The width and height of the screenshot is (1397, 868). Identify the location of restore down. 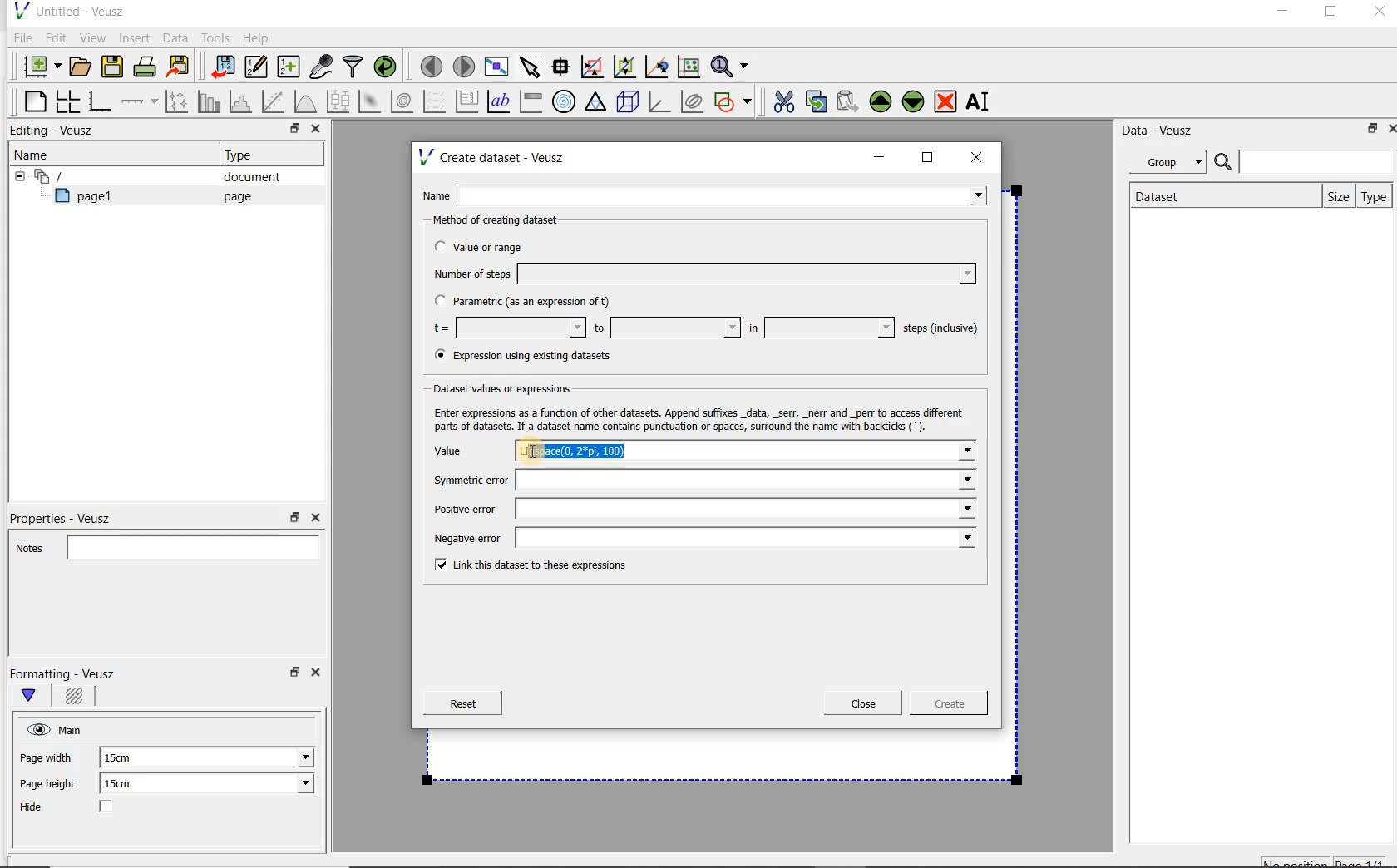
(295, 518).